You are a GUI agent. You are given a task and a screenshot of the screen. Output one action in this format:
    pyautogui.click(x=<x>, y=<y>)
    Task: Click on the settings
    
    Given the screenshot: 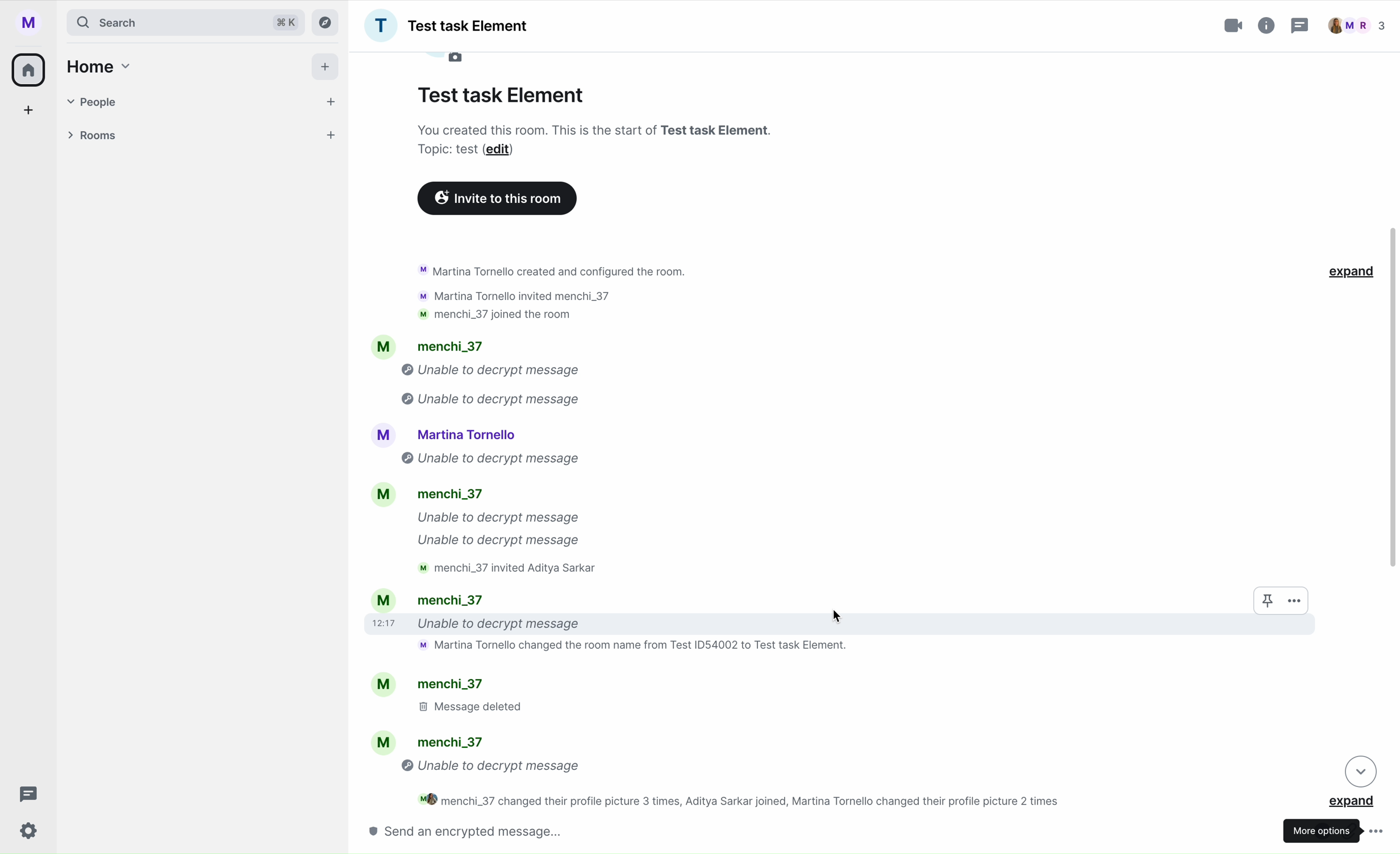 What is the action you would take?
    pyautogui.click(x=30, y=832)
    